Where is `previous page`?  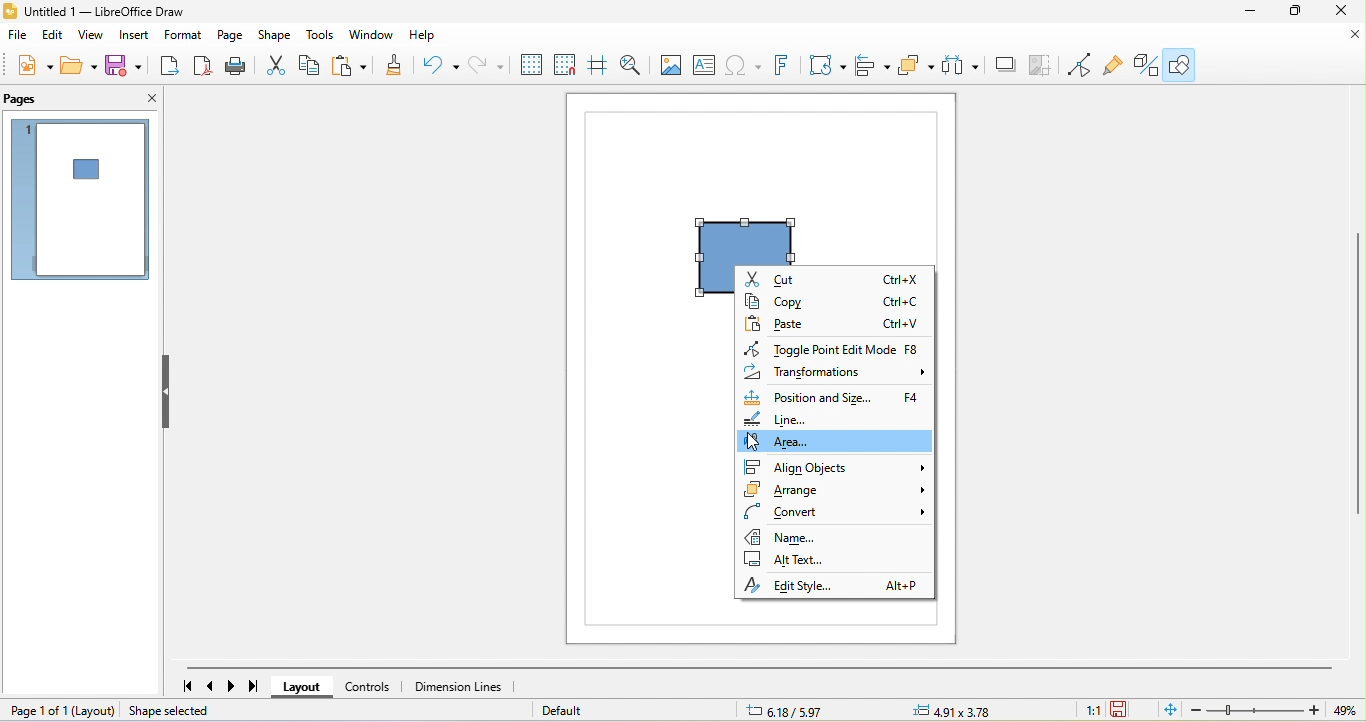
previous page is located at coordinates (210, 685).